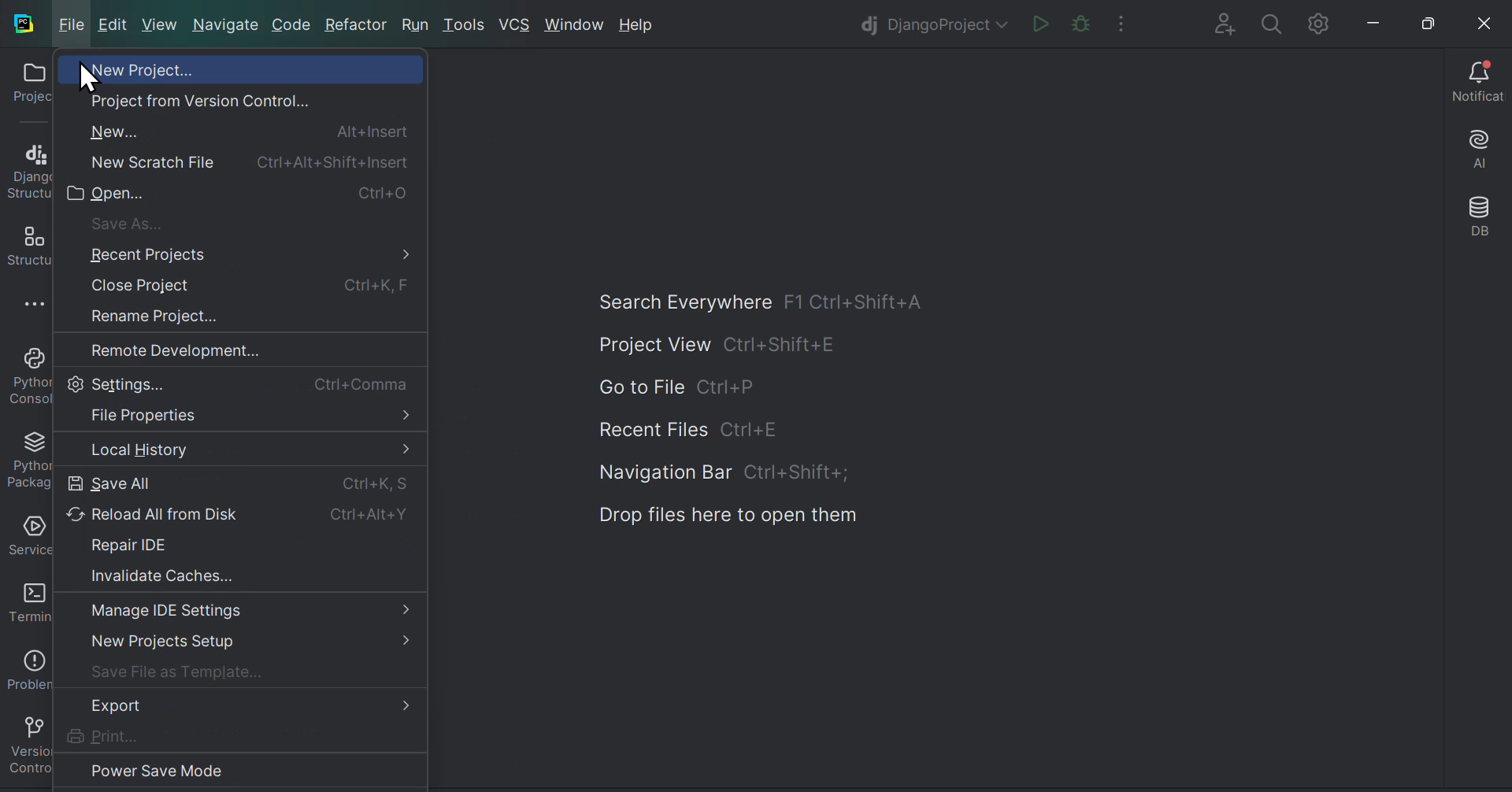 Image resolution: width=1512 pixels, height=792 pixels. I want to click on Add file, so click(1217, 21).